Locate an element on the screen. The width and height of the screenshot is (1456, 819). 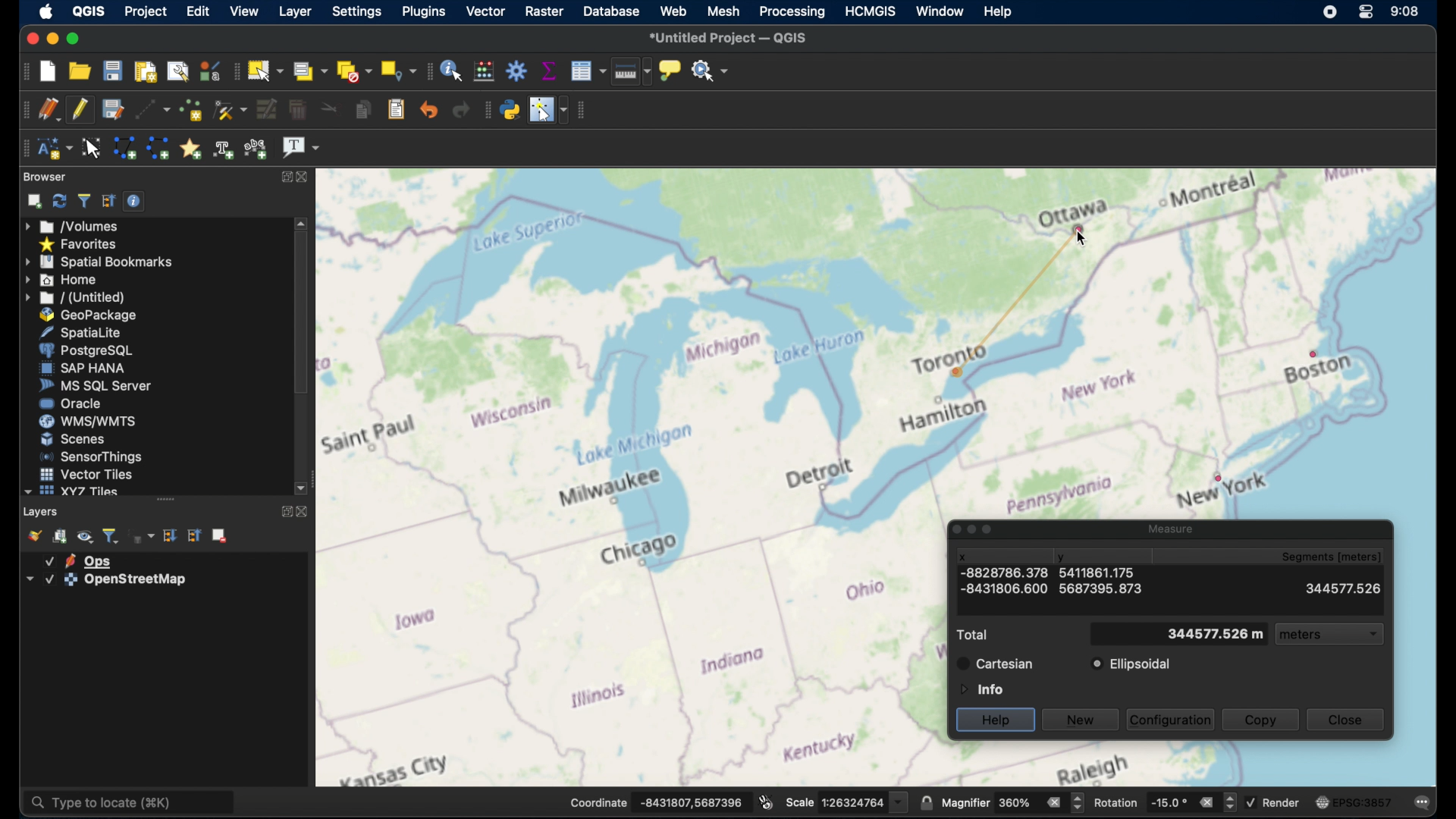
project is located at coordinates (146, 11).